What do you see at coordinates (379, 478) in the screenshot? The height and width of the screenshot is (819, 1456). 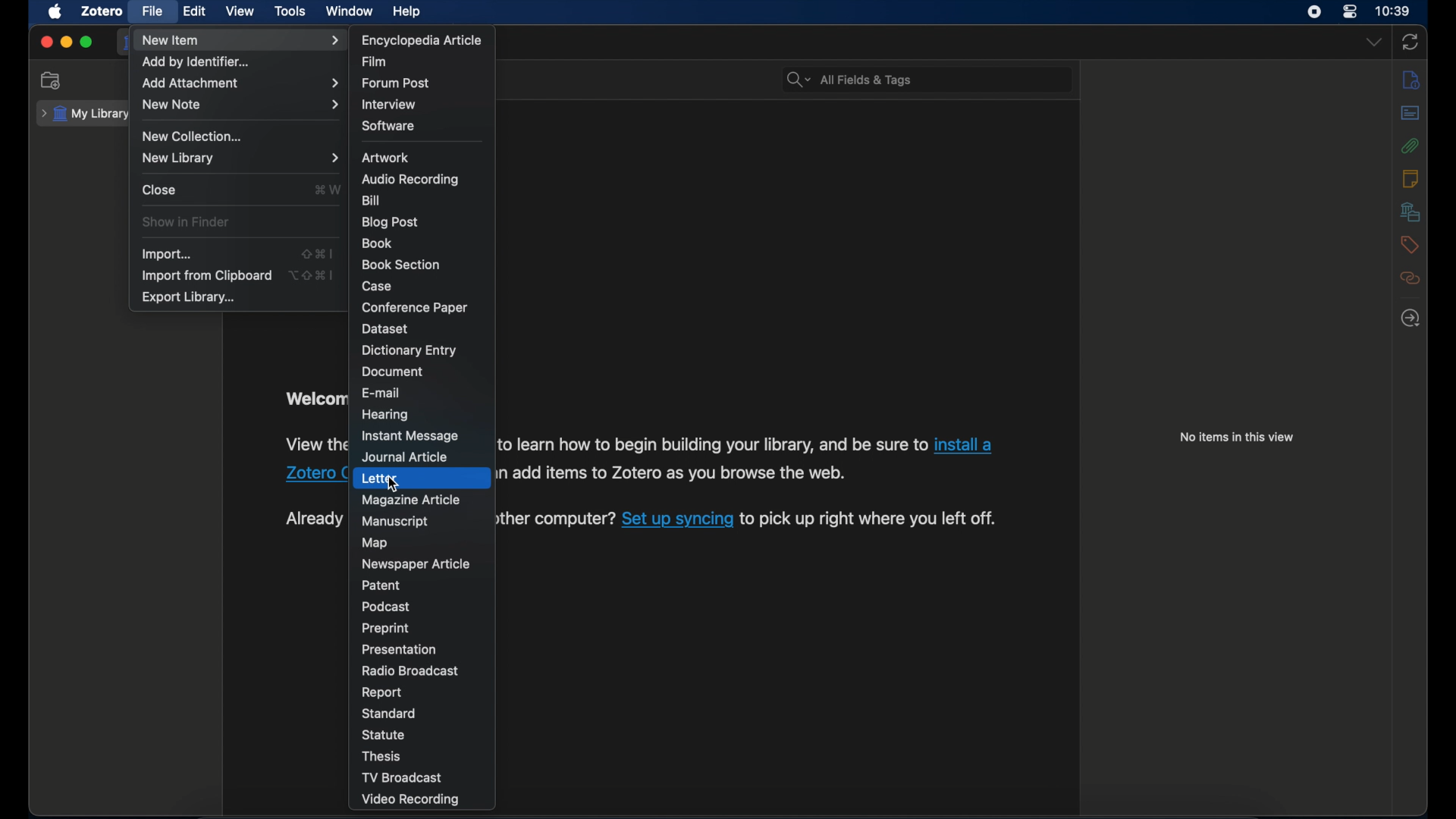 I see `letter` at bounding box center [379, 478].